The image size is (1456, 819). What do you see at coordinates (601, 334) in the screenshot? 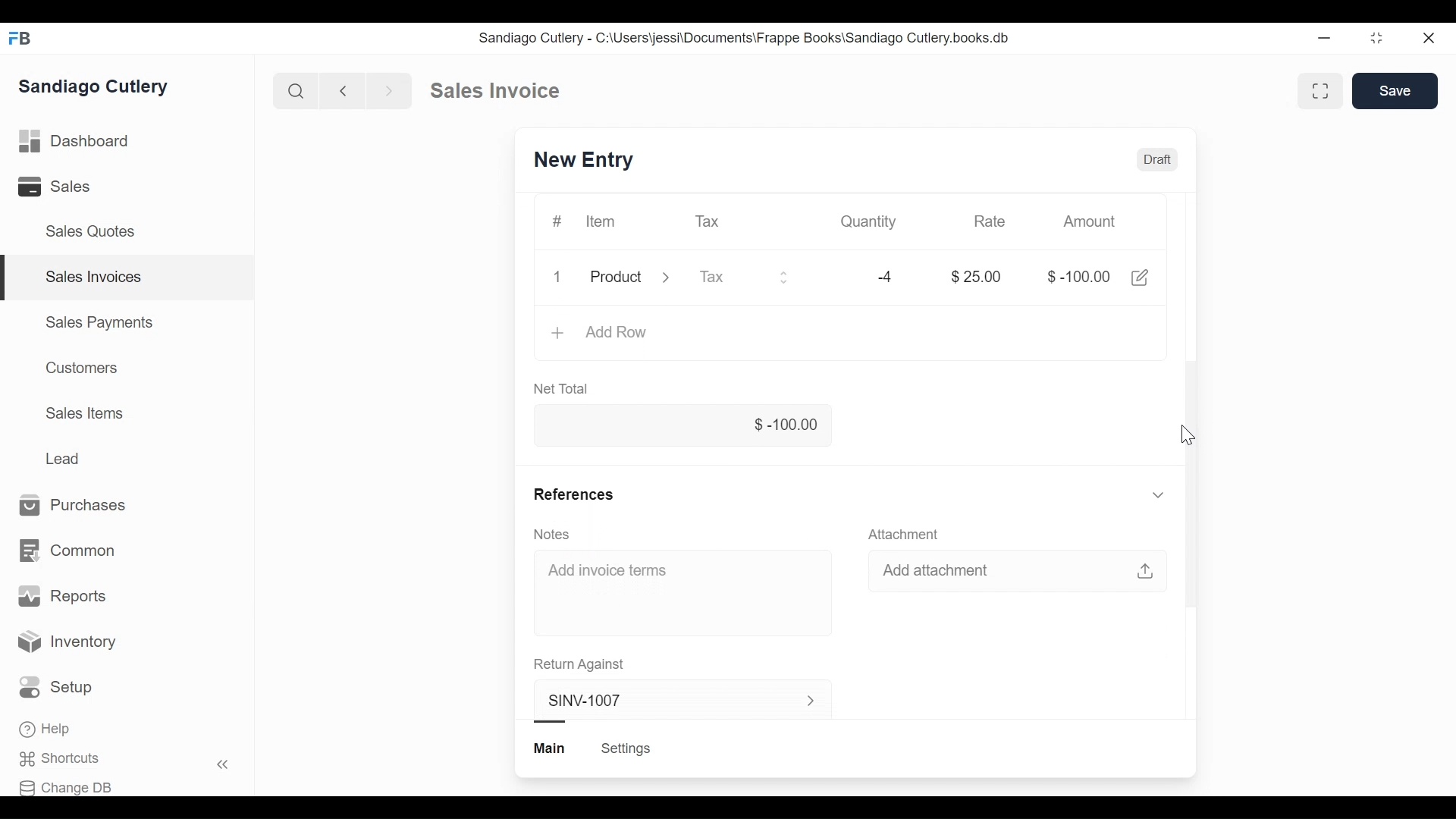
I see `Add Row` at bounding box center [601, 334].